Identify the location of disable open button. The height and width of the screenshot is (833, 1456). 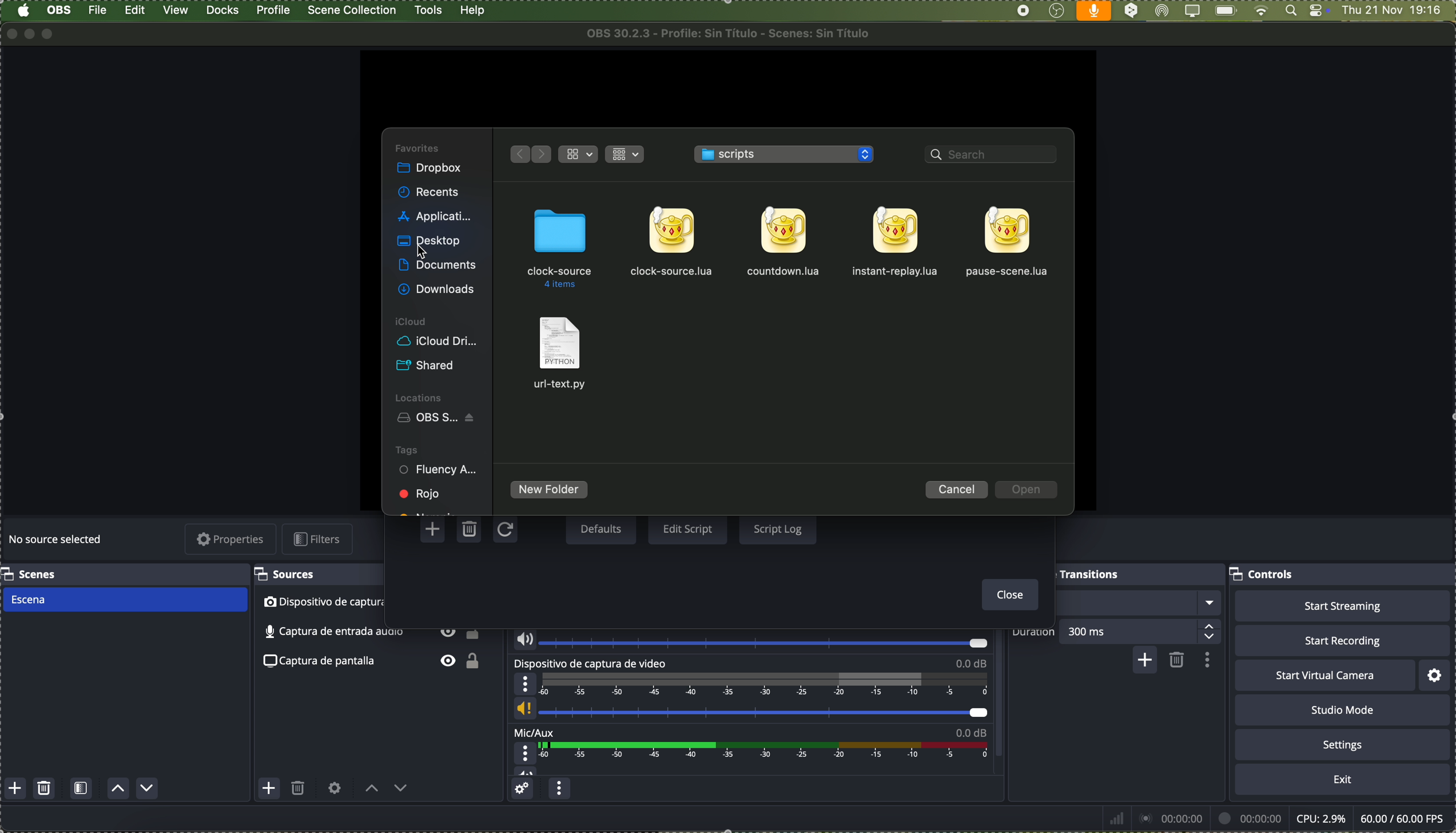
(1027, 490).